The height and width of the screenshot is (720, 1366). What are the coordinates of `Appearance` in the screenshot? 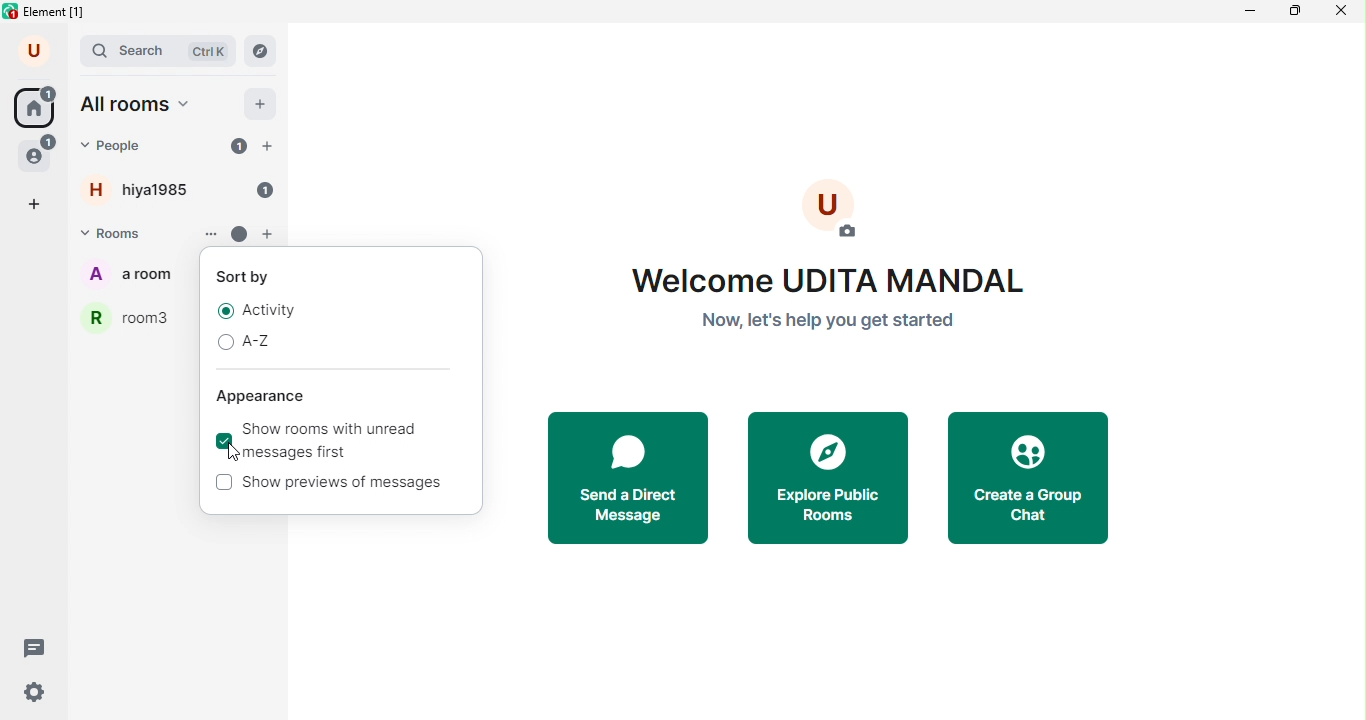 It's located at (268, 398).